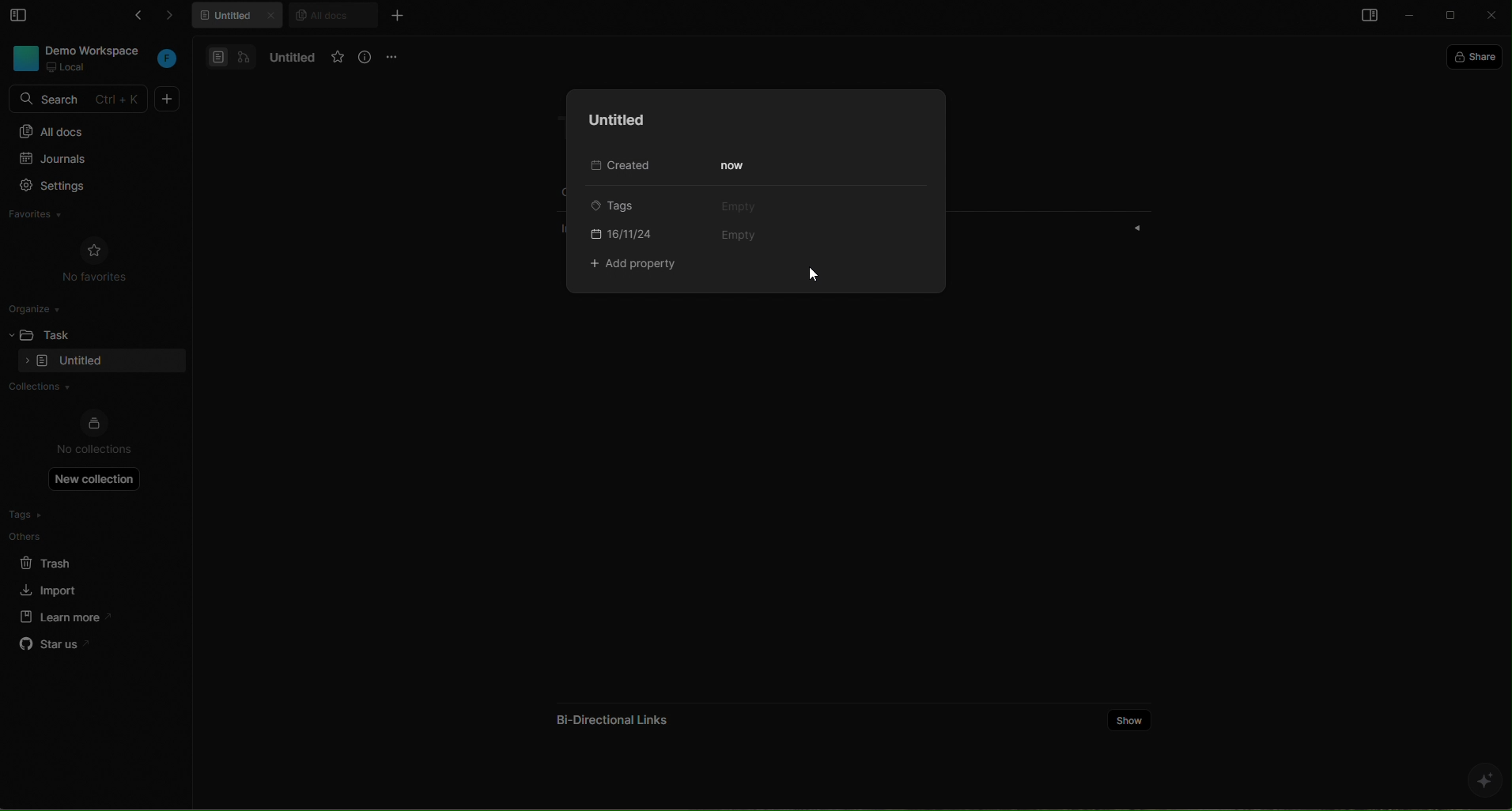 Image resolution: width=1512 pixels, height=811 pixels. I want to click on untitled, so click(240, 17).